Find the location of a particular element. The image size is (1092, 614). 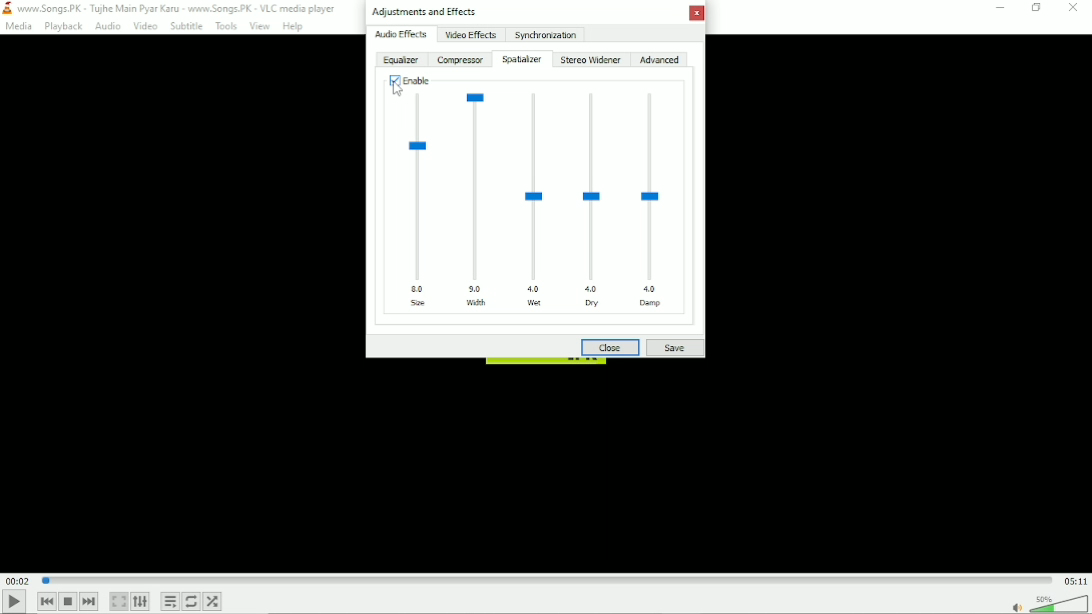

www.Songs.PK - Tujhe Main Pyar Karu - www.Songs.PK - VLC media player is located at coordinates (171, 8).